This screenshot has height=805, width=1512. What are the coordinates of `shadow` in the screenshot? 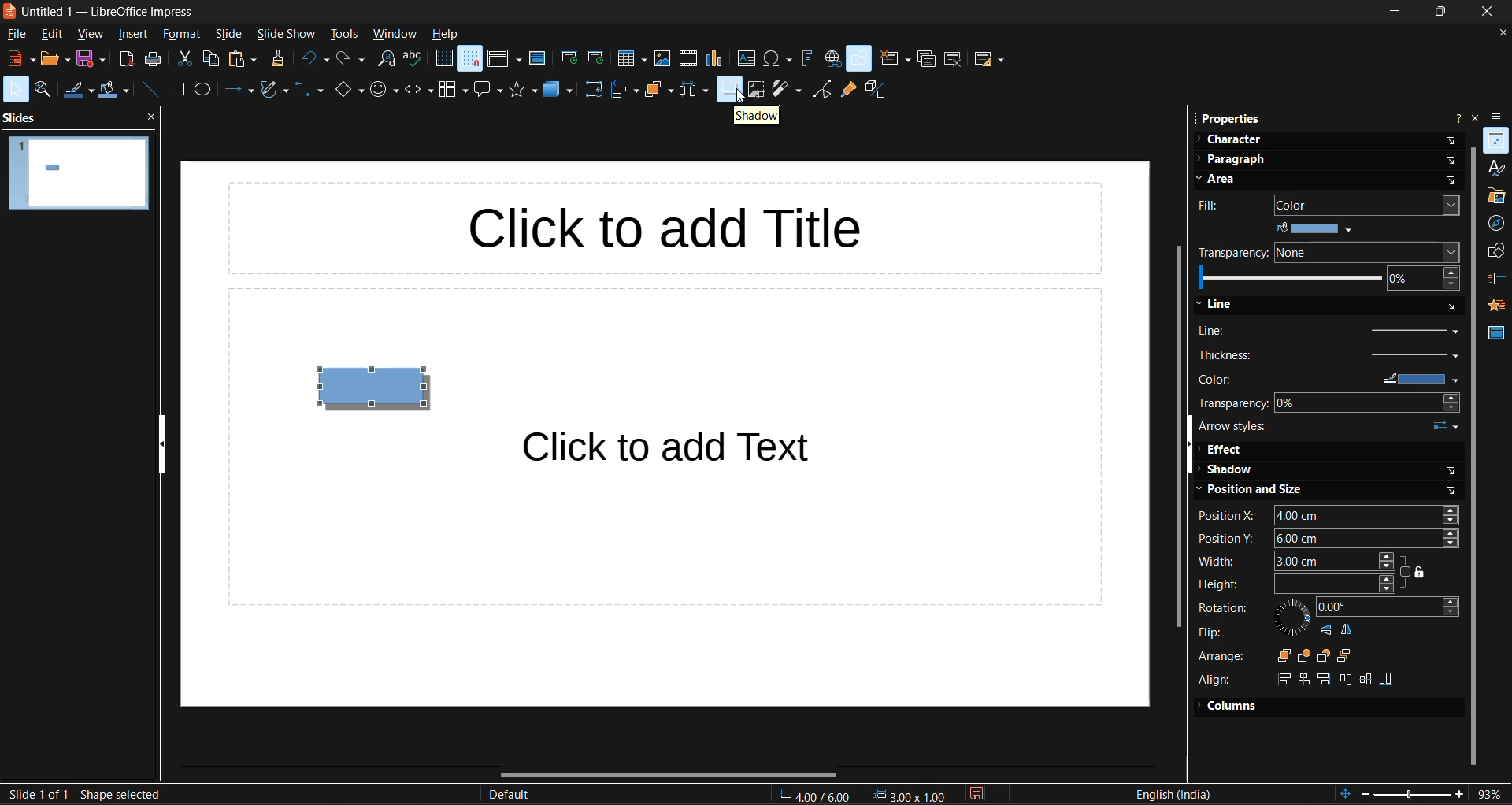 It's located at (1228, 473).